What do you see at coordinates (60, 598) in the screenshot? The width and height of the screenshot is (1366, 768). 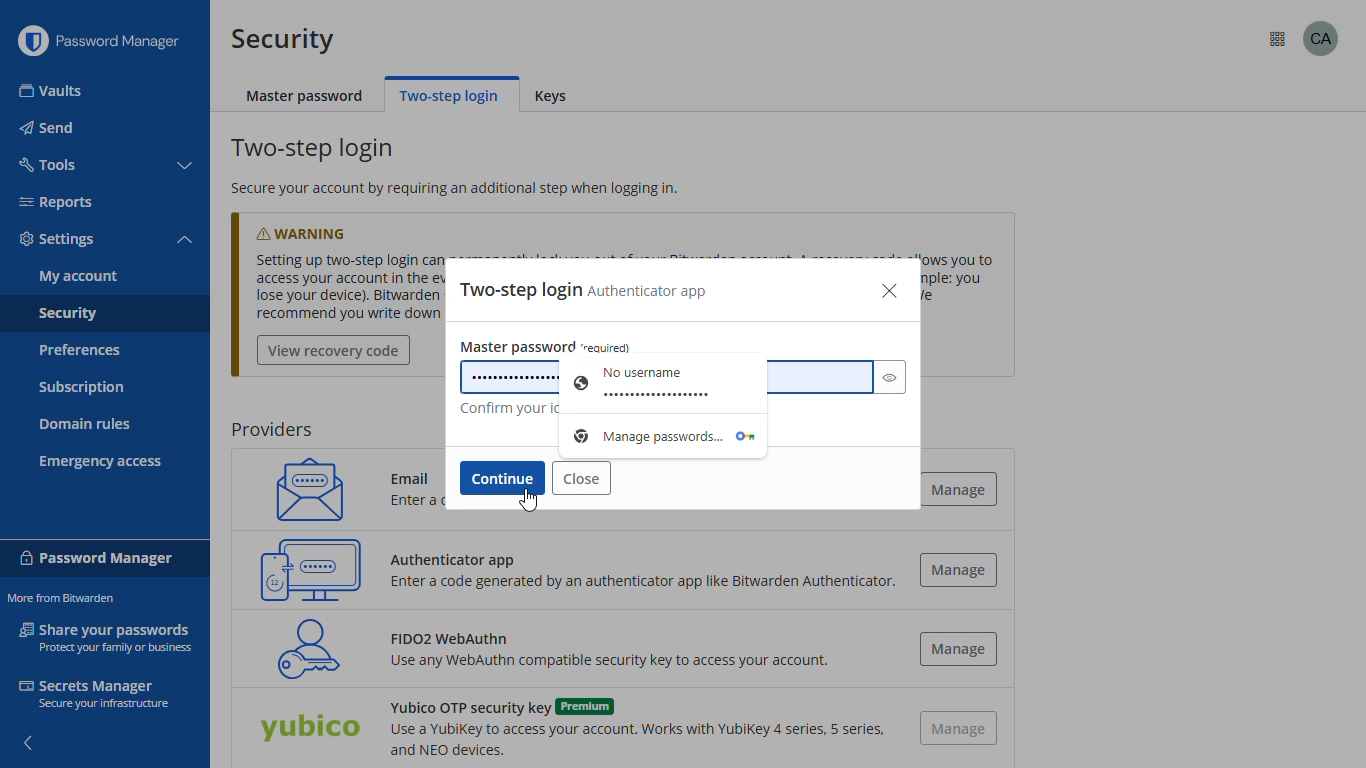 I see `more from bitwarden` at bounding box center [60, 598].